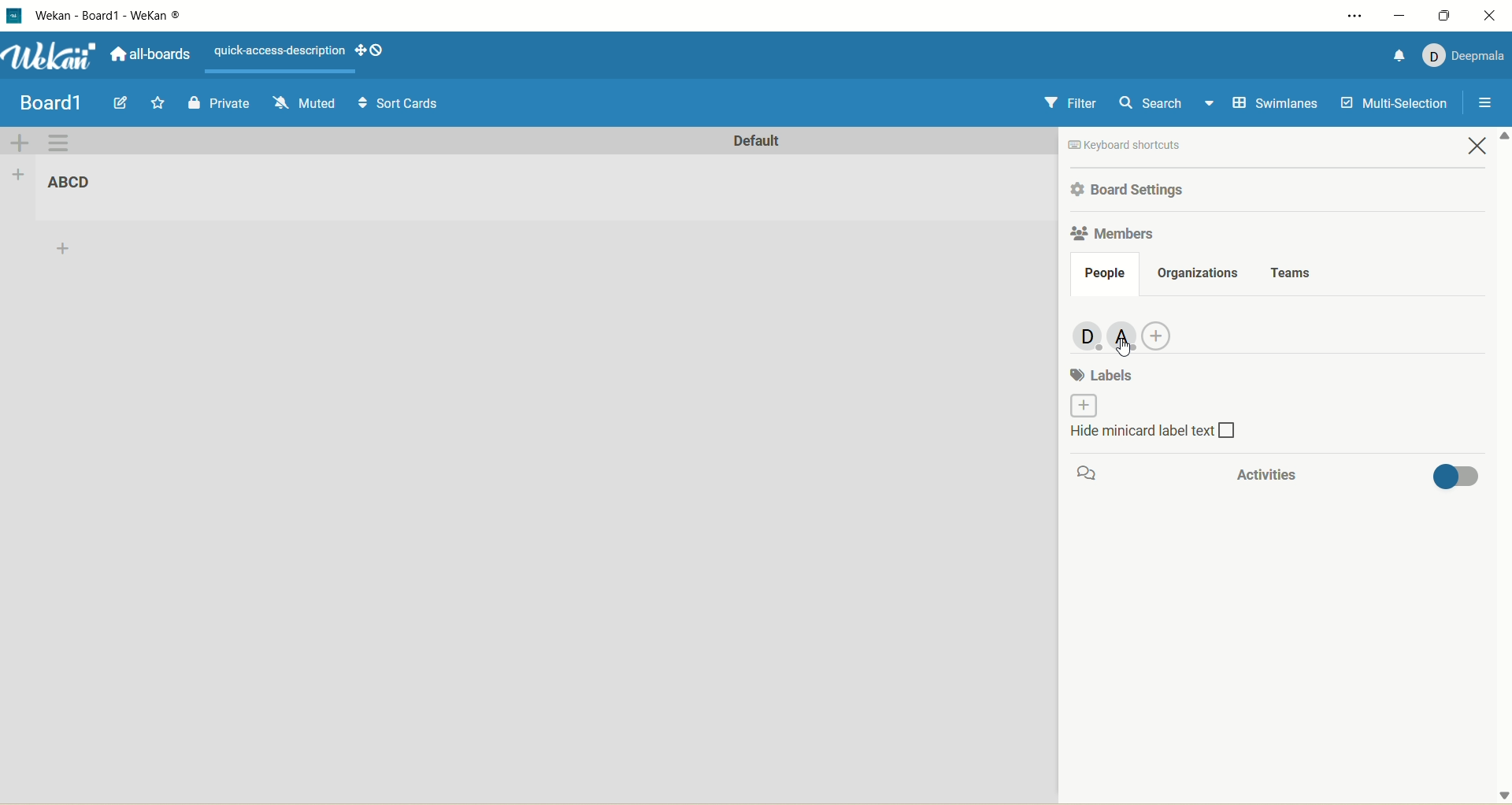 This screenshot has height=805, width=1512. I want to click on default, so click(755, 143).